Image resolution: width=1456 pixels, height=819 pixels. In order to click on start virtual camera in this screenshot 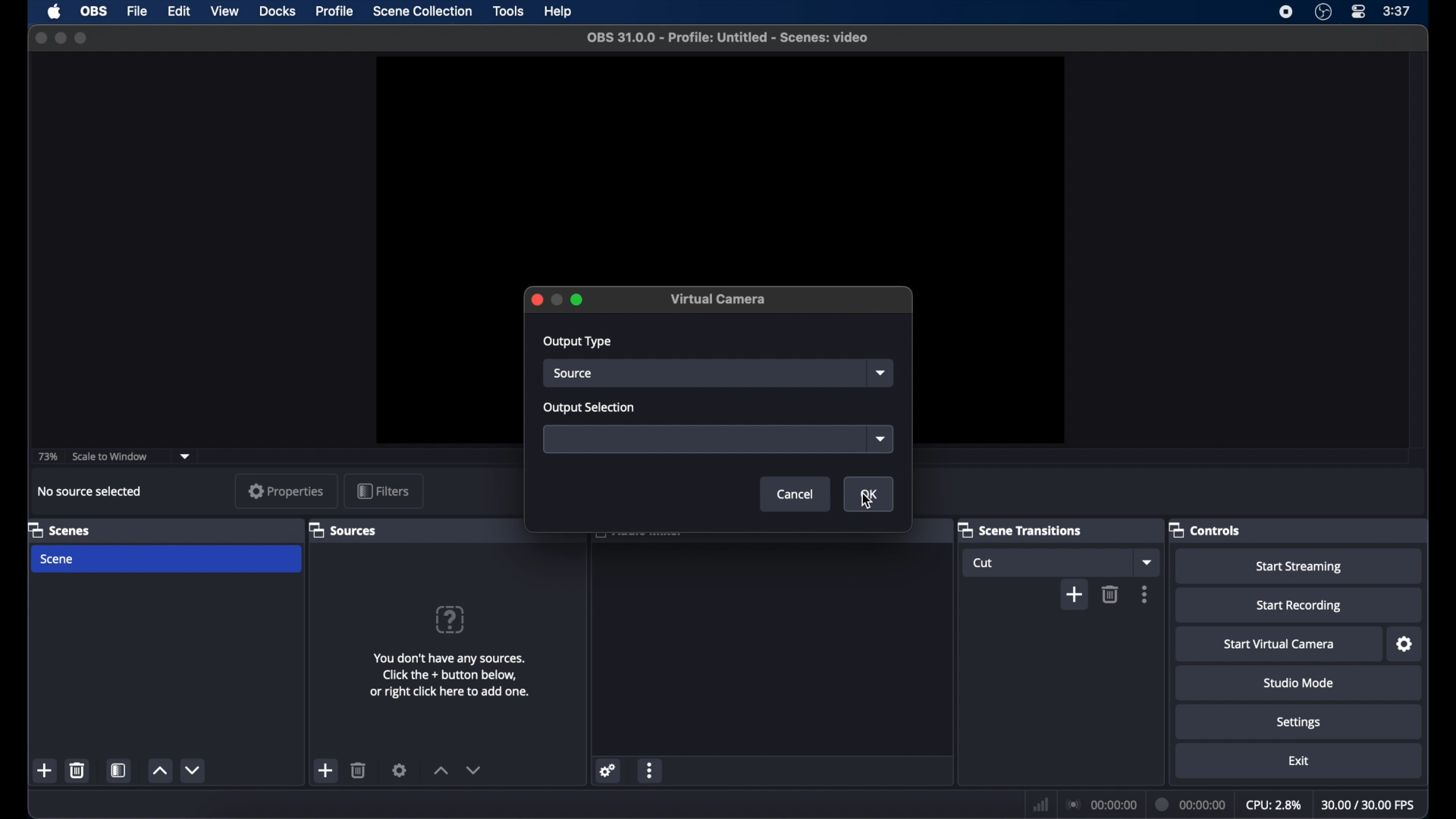, I will do `click(1279, 645)`.